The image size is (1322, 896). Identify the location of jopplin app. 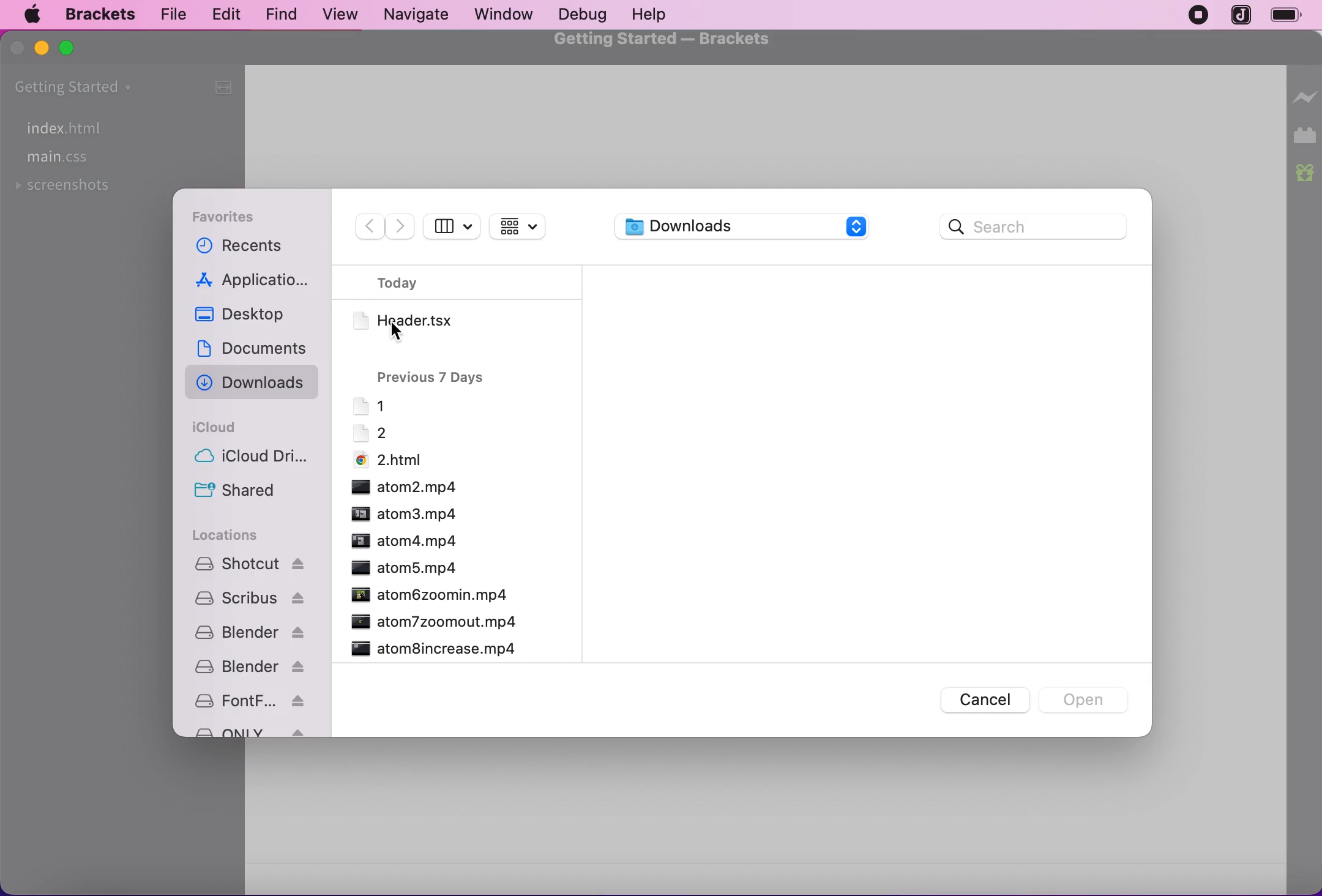
(1242, 16).